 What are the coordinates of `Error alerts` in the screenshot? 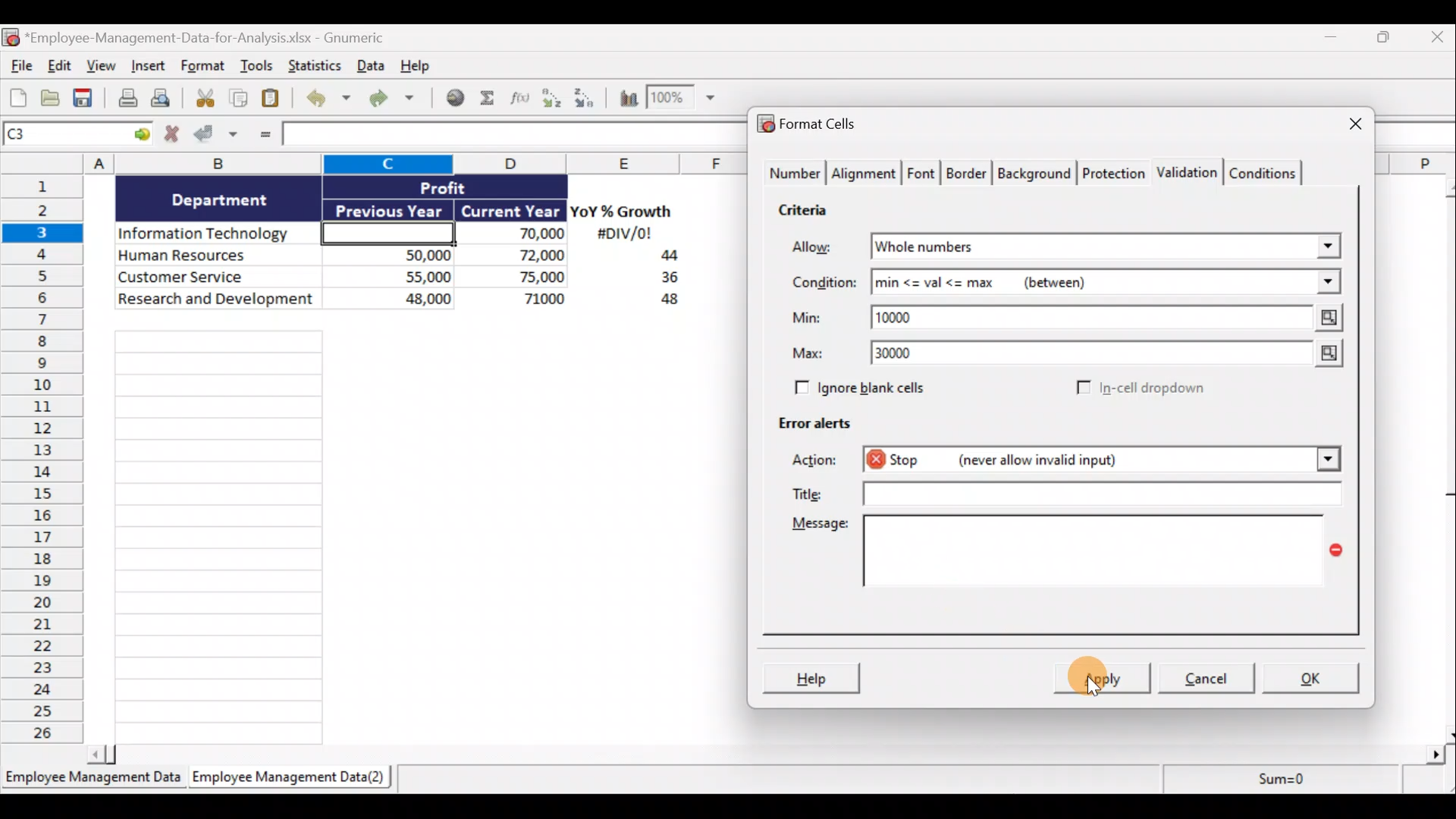 It's located at (821, 430).